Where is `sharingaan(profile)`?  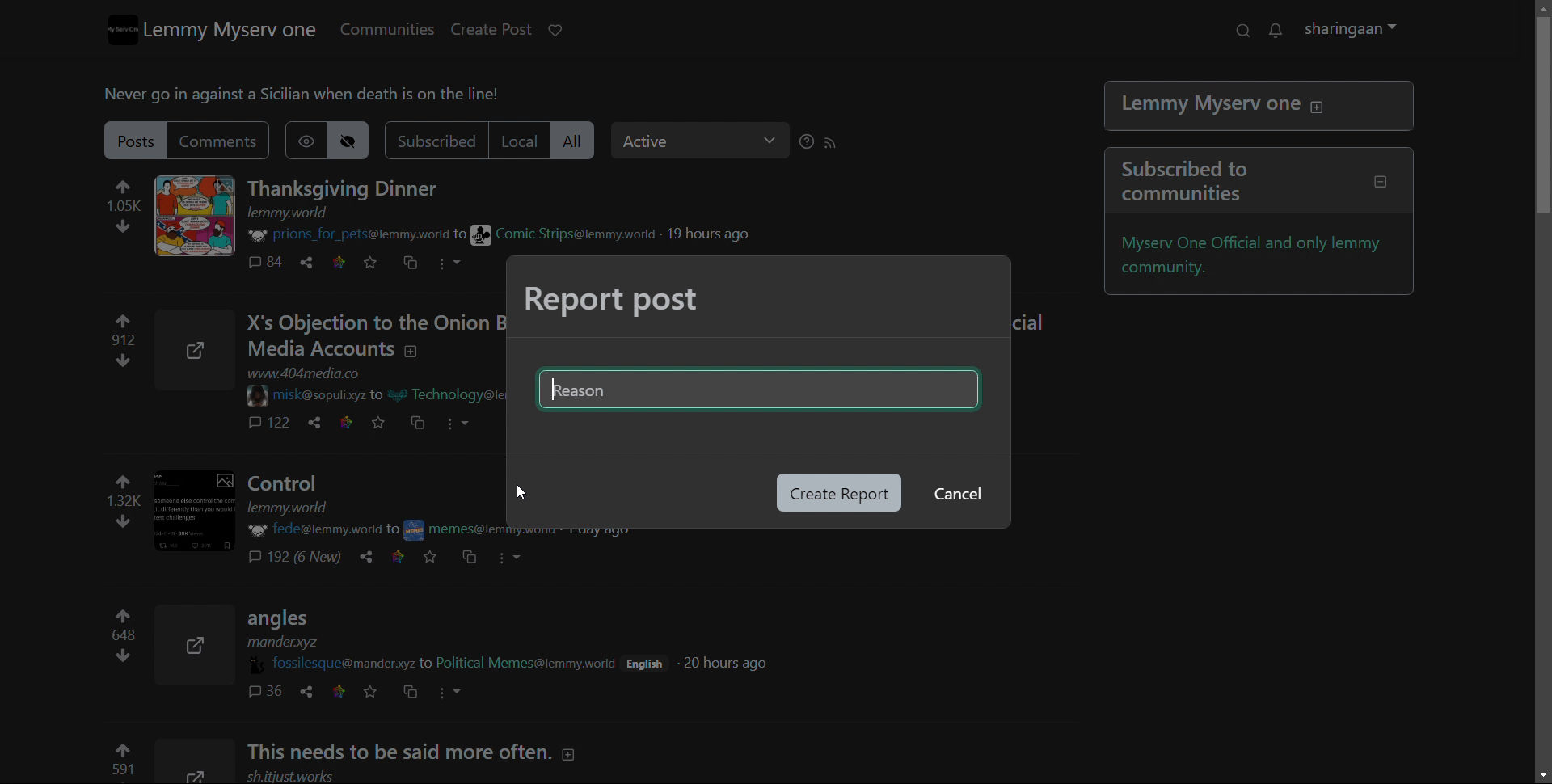
sharingaan(profile) is located at coordinates (1360, 30).